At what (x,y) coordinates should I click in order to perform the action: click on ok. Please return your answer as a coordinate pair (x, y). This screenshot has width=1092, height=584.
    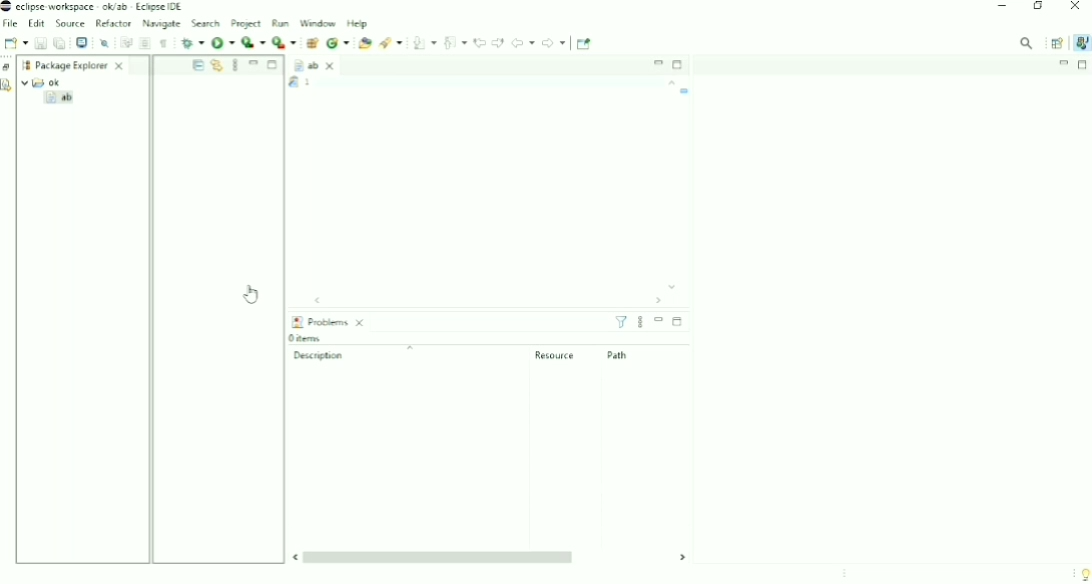
    Looking at the image, I should click on (42, 82).